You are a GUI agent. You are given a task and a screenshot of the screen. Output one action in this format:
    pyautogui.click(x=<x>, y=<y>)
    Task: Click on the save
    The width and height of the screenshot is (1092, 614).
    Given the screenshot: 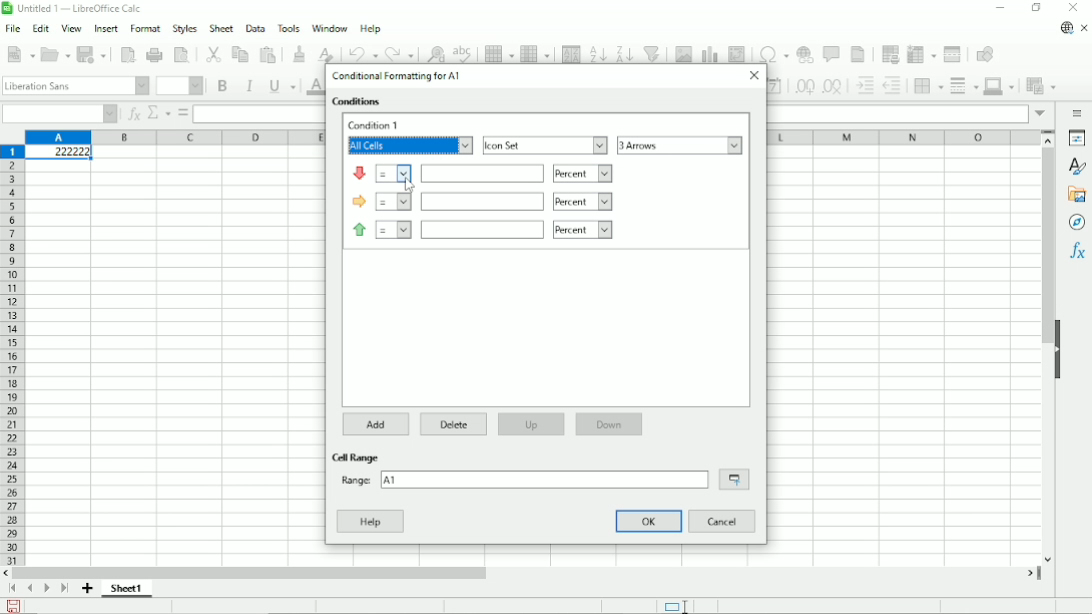 What is the action you would take?
    pyautogui.click(x=14, y=606)
    